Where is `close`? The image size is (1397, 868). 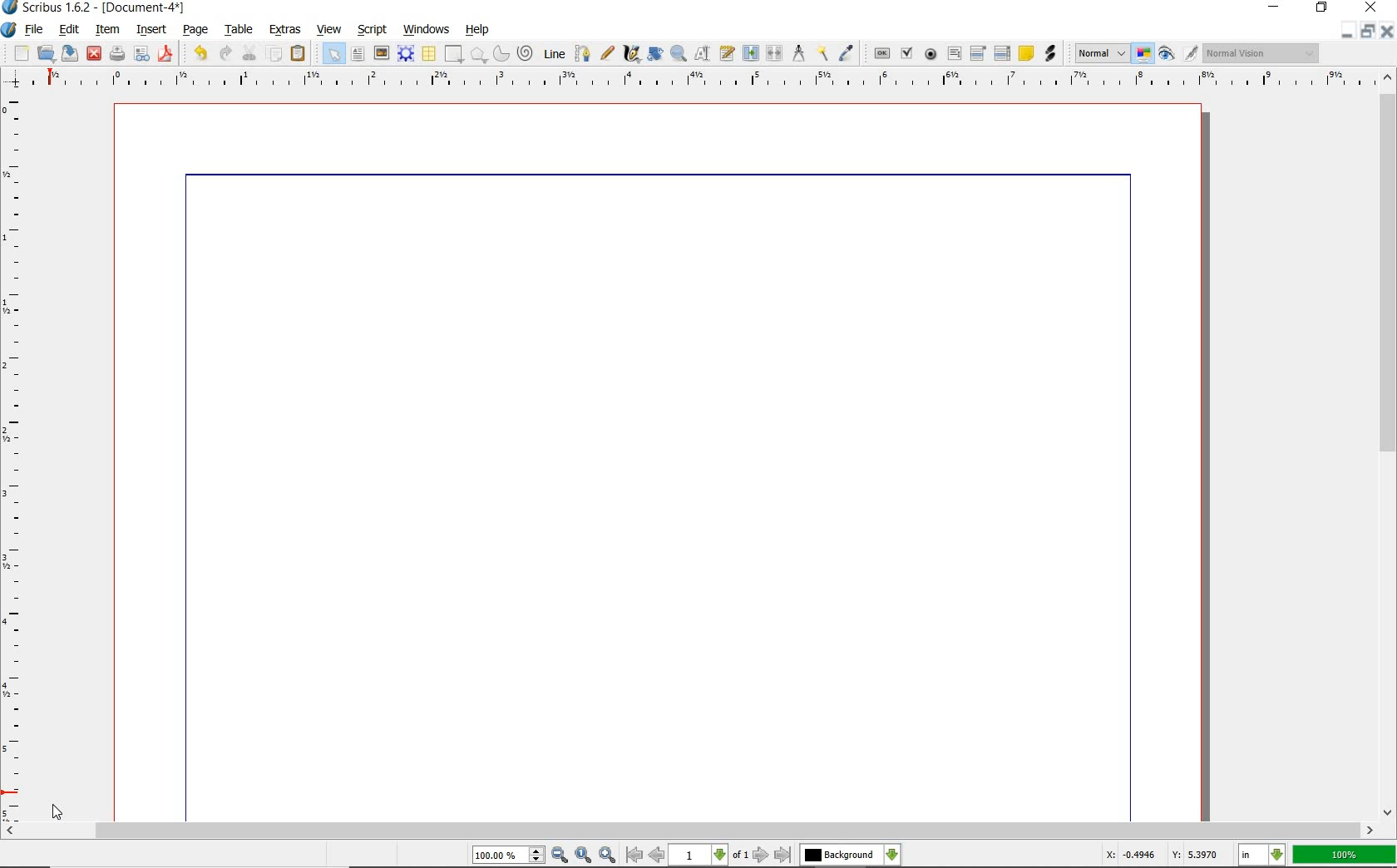 close is located at coordinates (1389, 31).